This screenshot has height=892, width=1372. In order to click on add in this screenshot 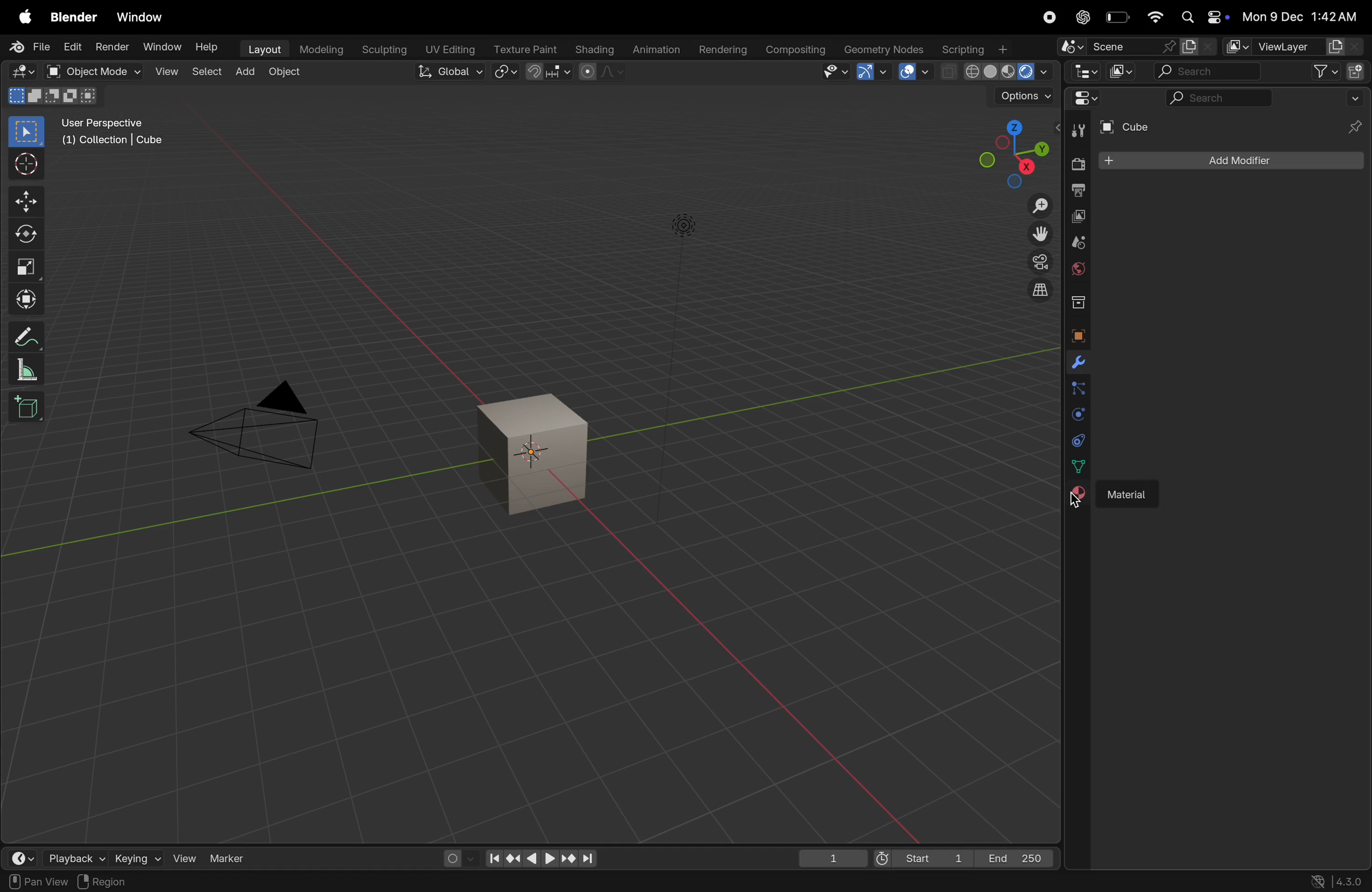, I will do `click(244, 73)`.